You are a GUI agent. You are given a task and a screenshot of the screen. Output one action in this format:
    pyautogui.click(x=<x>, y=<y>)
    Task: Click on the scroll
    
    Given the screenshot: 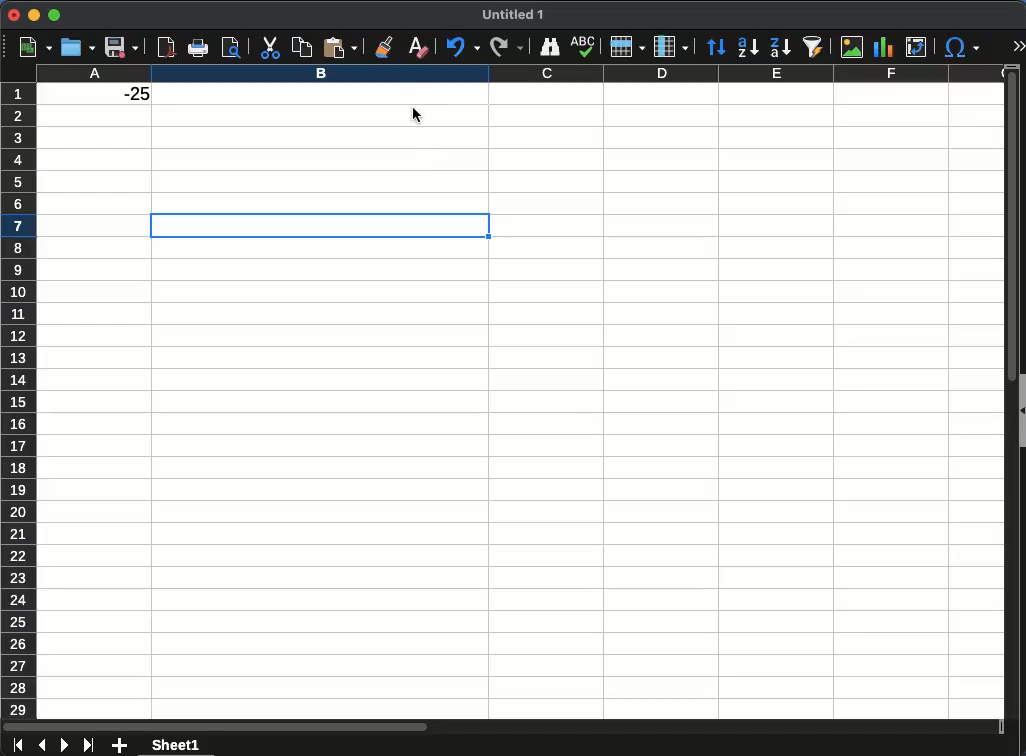 What is the action you would take?
    pyautogui.click(x=1005, y=397)
    